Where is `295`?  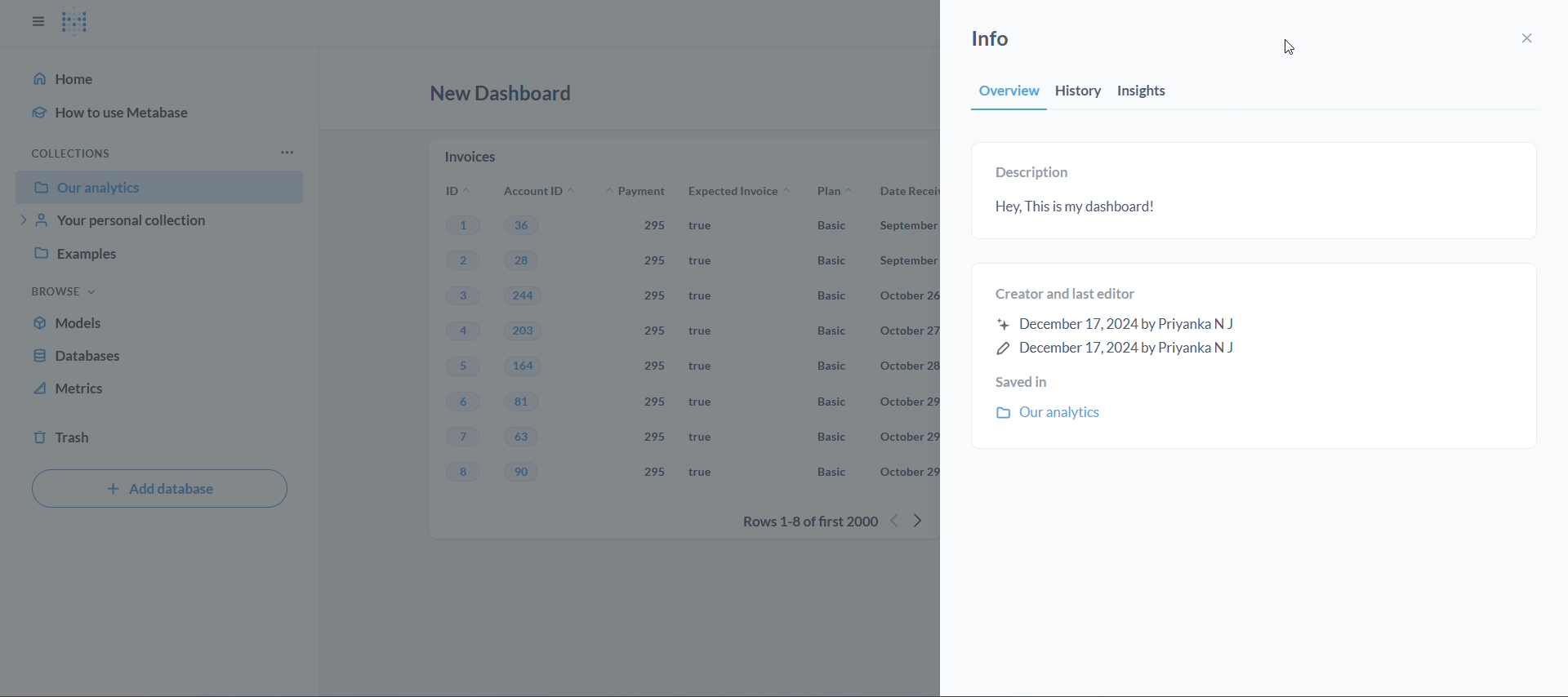
295 is located at coordinates (656, 295).